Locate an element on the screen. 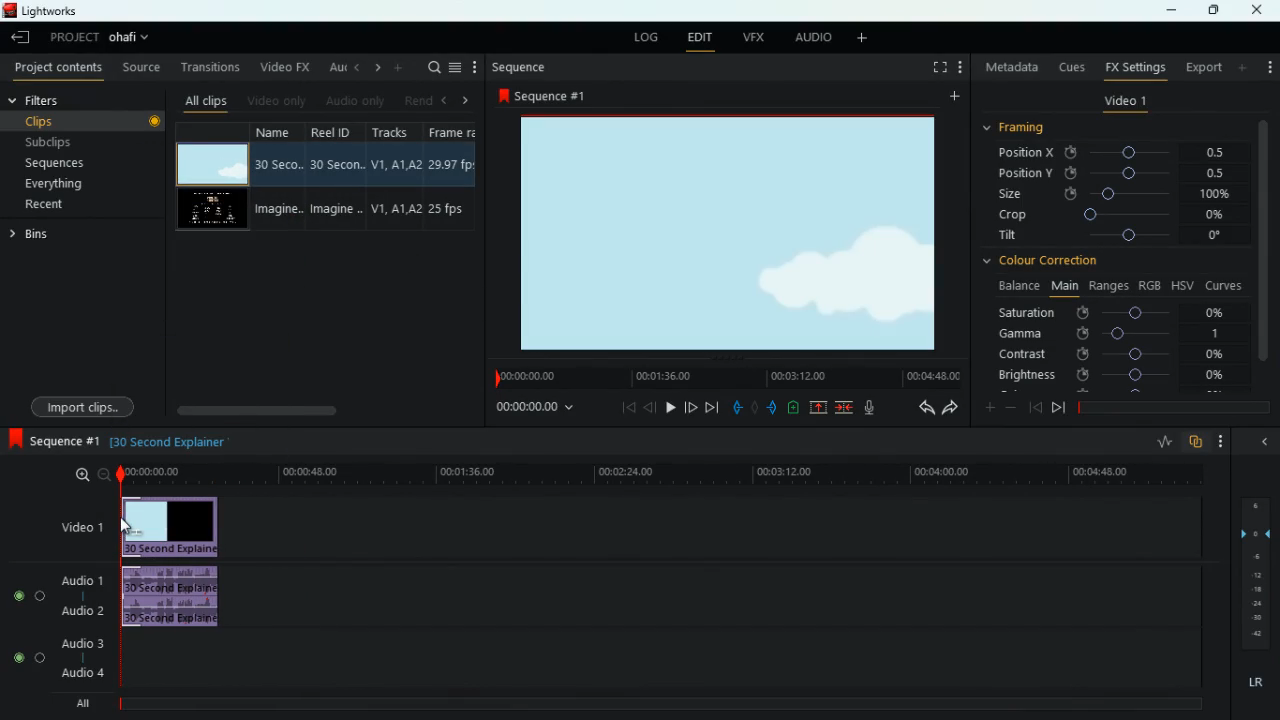  maximize is located at coordinates (1208, 10).